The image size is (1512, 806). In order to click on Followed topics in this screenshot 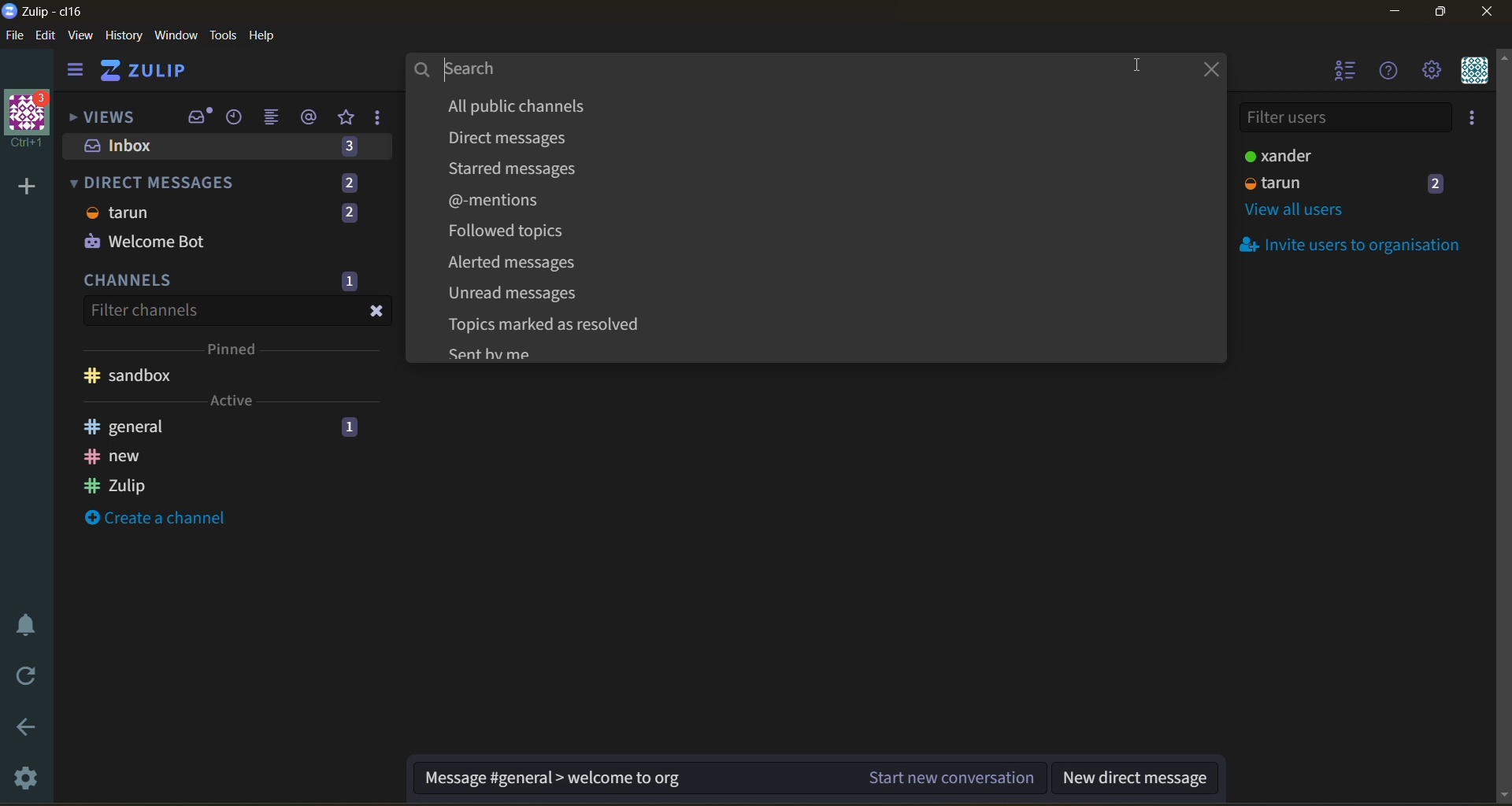, I will do `click(498, 231)`.